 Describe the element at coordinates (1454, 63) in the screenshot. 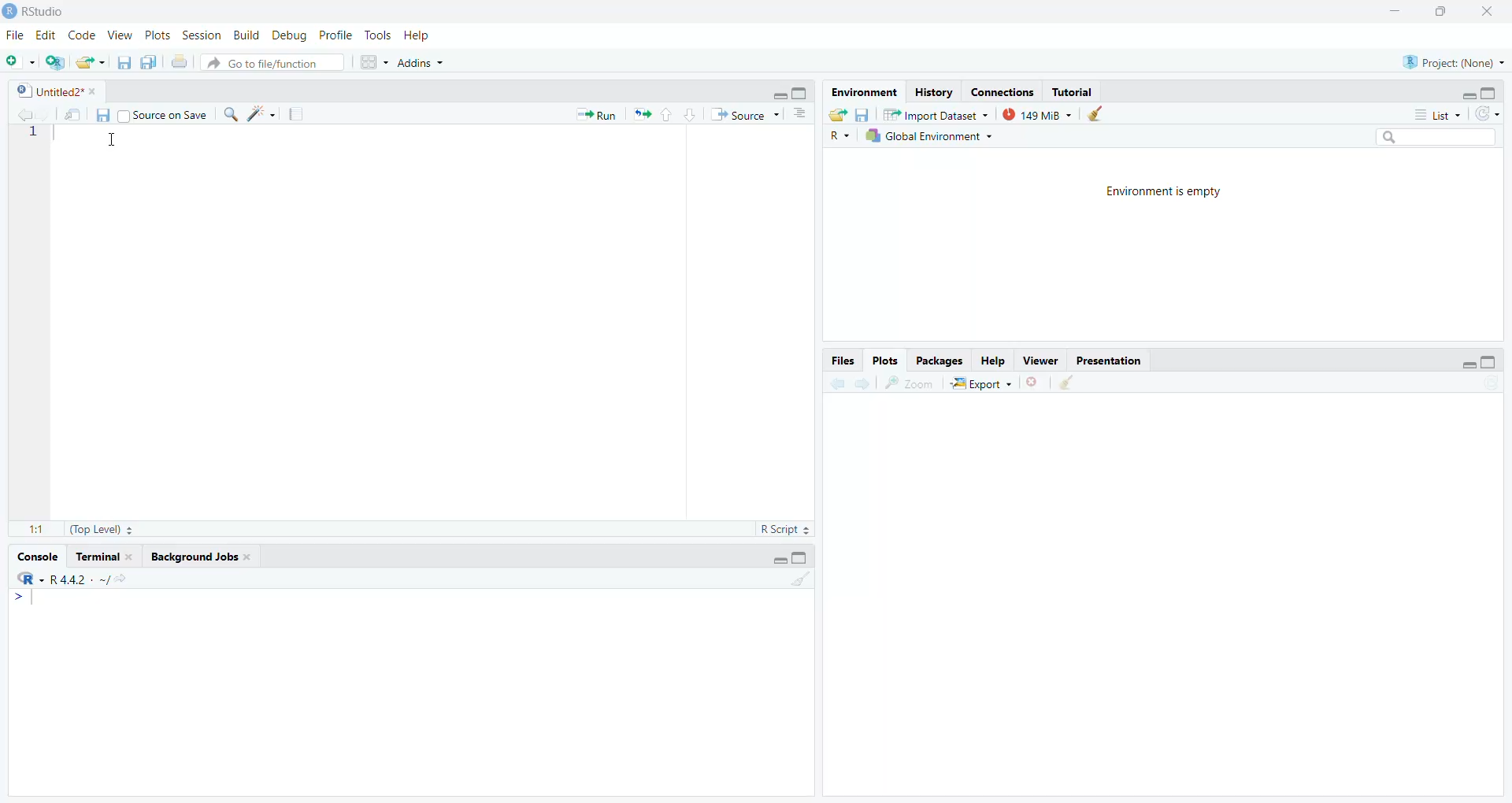

I see `Project (None)` at that location.